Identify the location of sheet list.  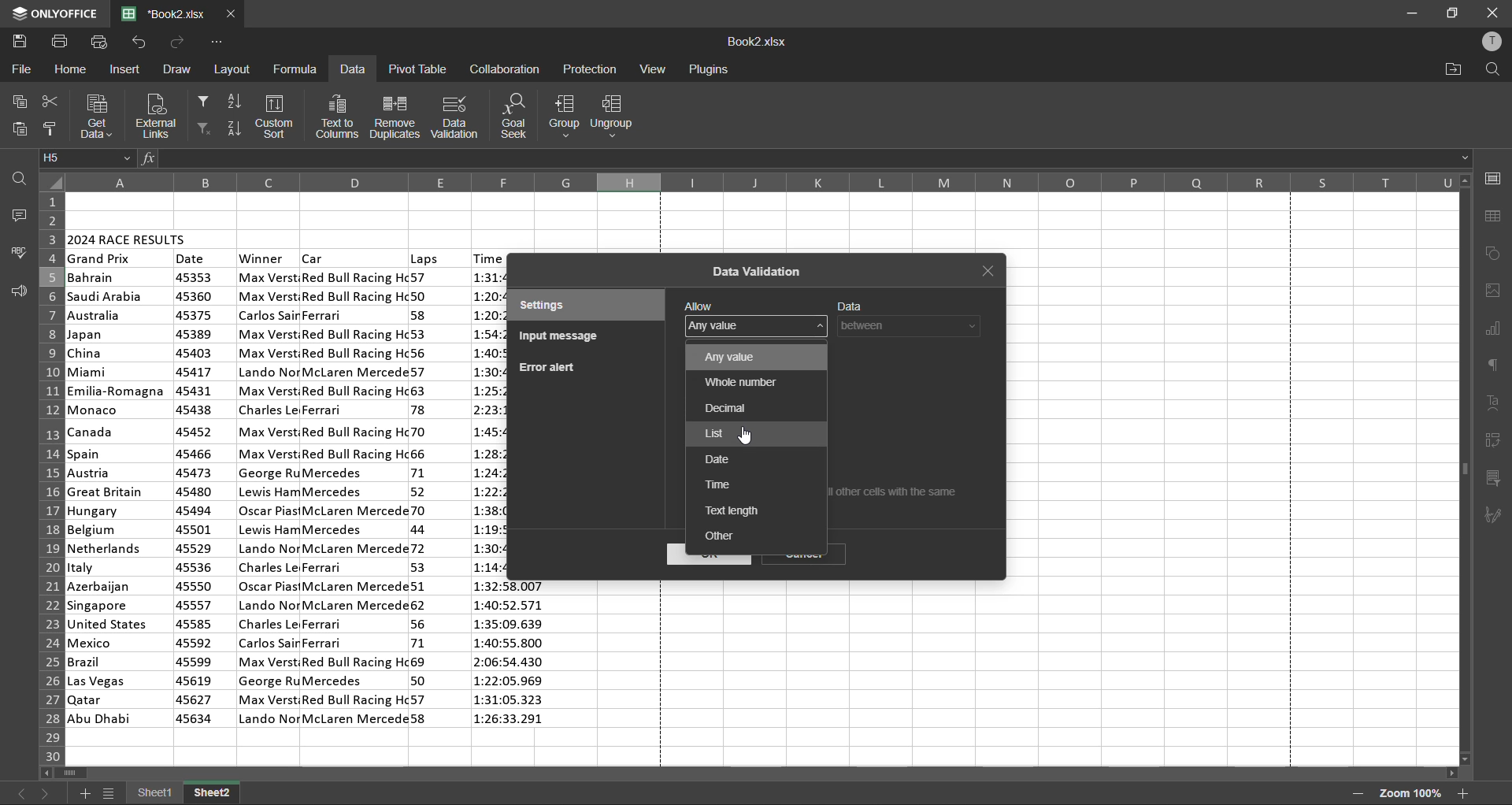
(112, 796).